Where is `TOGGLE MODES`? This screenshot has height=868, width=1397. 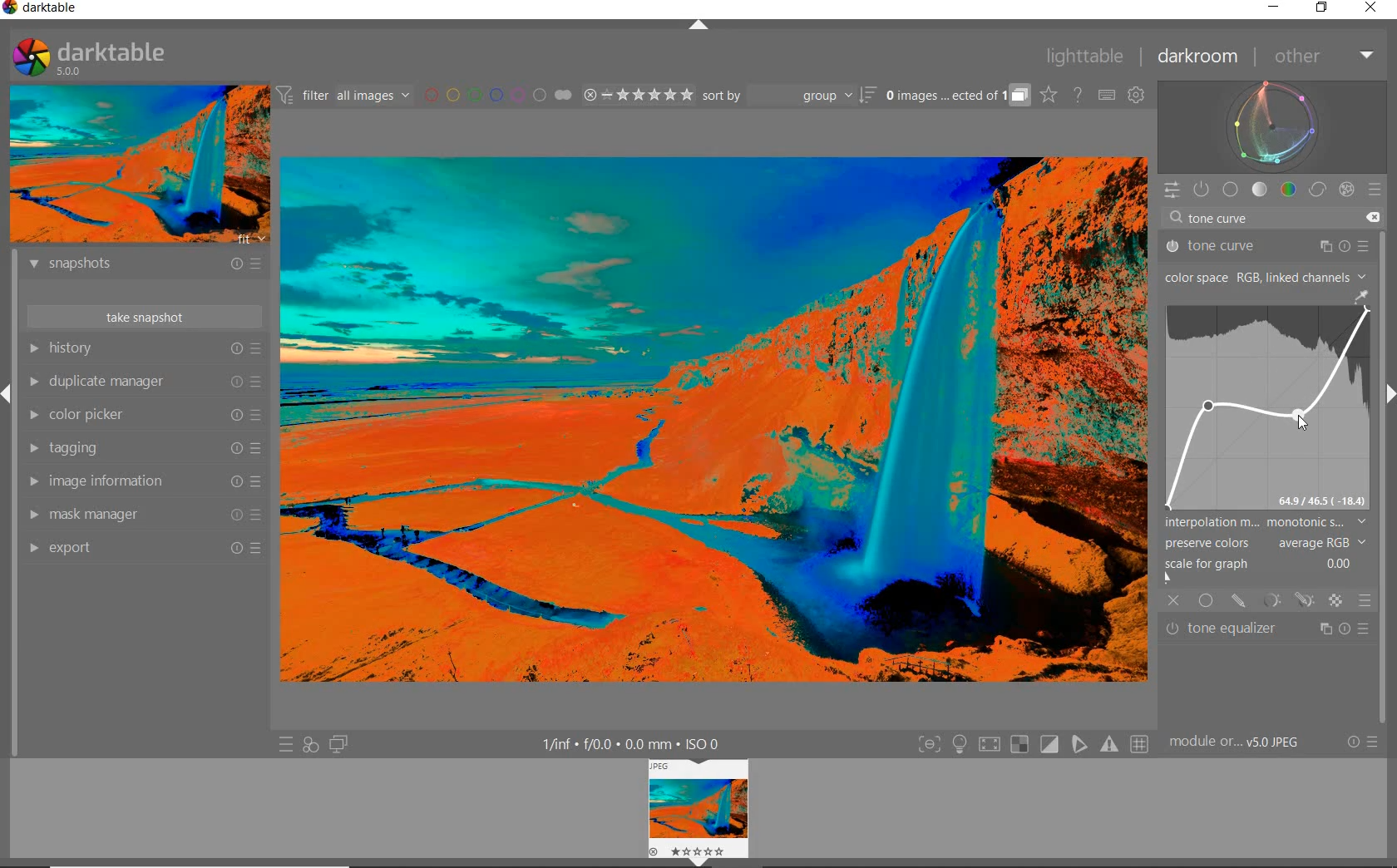 TOGGLE MODES is located at coordinates (1032, 745).